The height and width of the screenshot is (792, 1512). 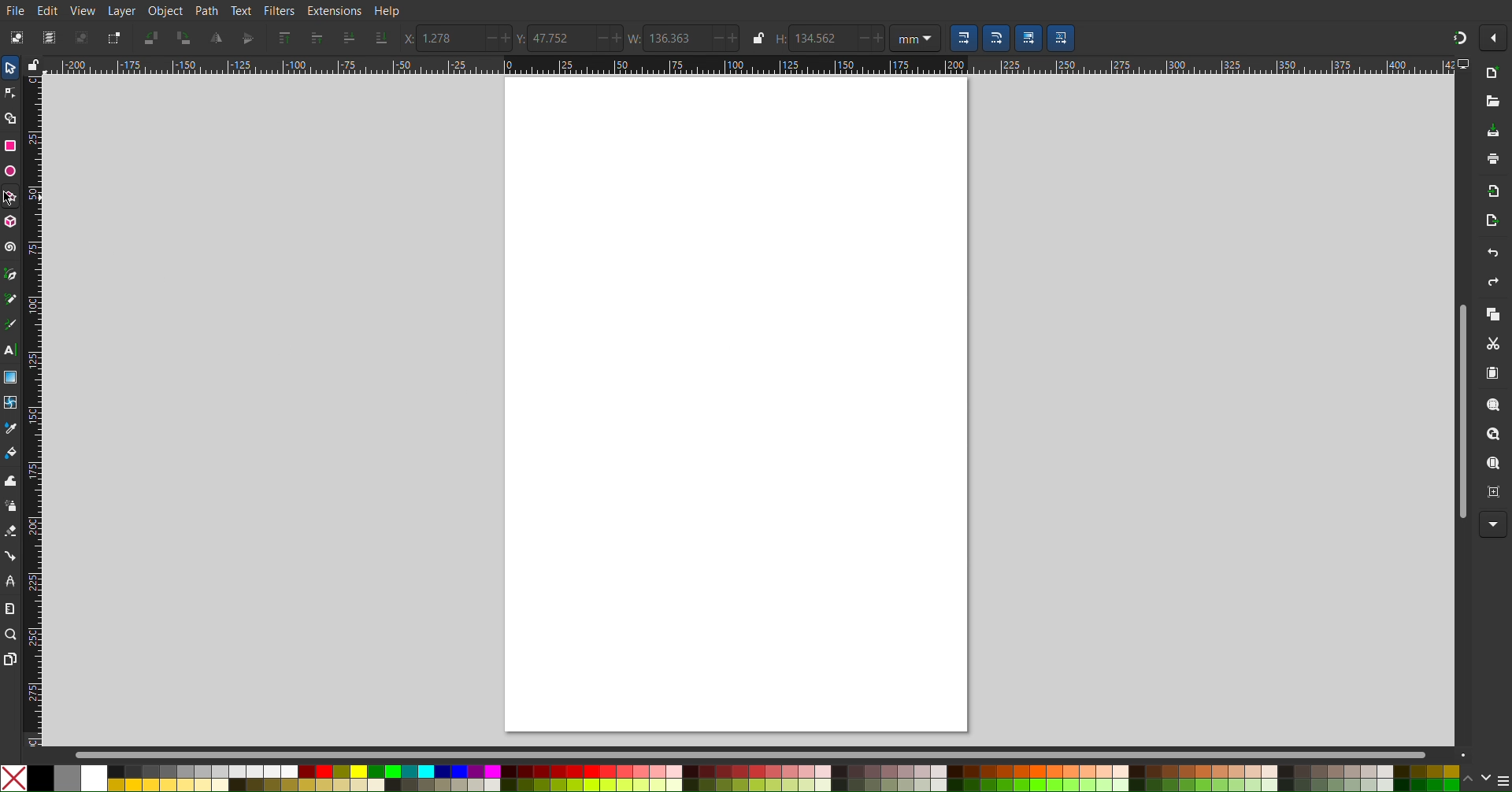 I want to click on Mirror Vertically, so click(x=218, y=40).